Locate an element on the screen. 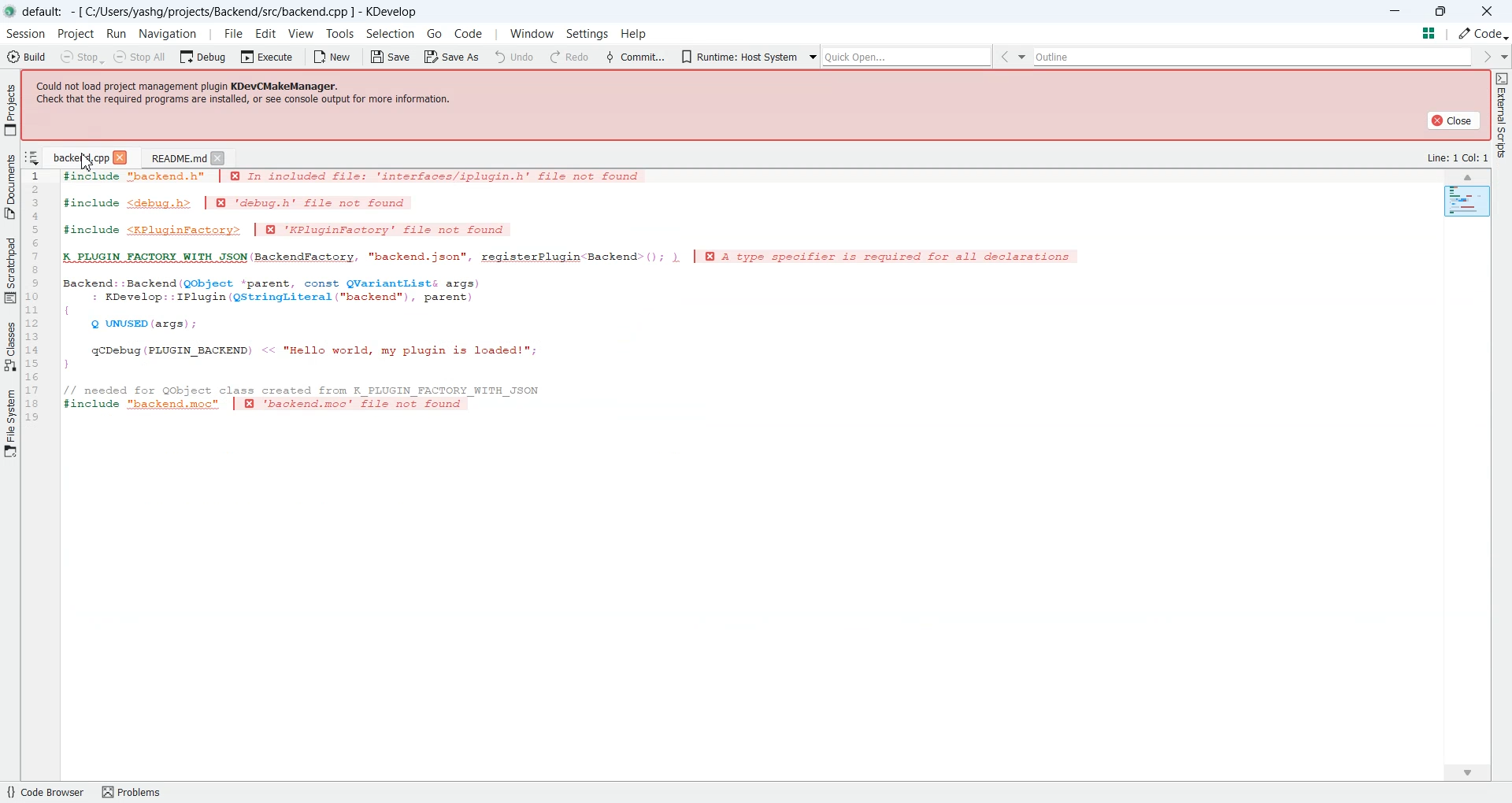 This screenshot has height=803, width=1512. Commit is located at coordinates (401, 56).